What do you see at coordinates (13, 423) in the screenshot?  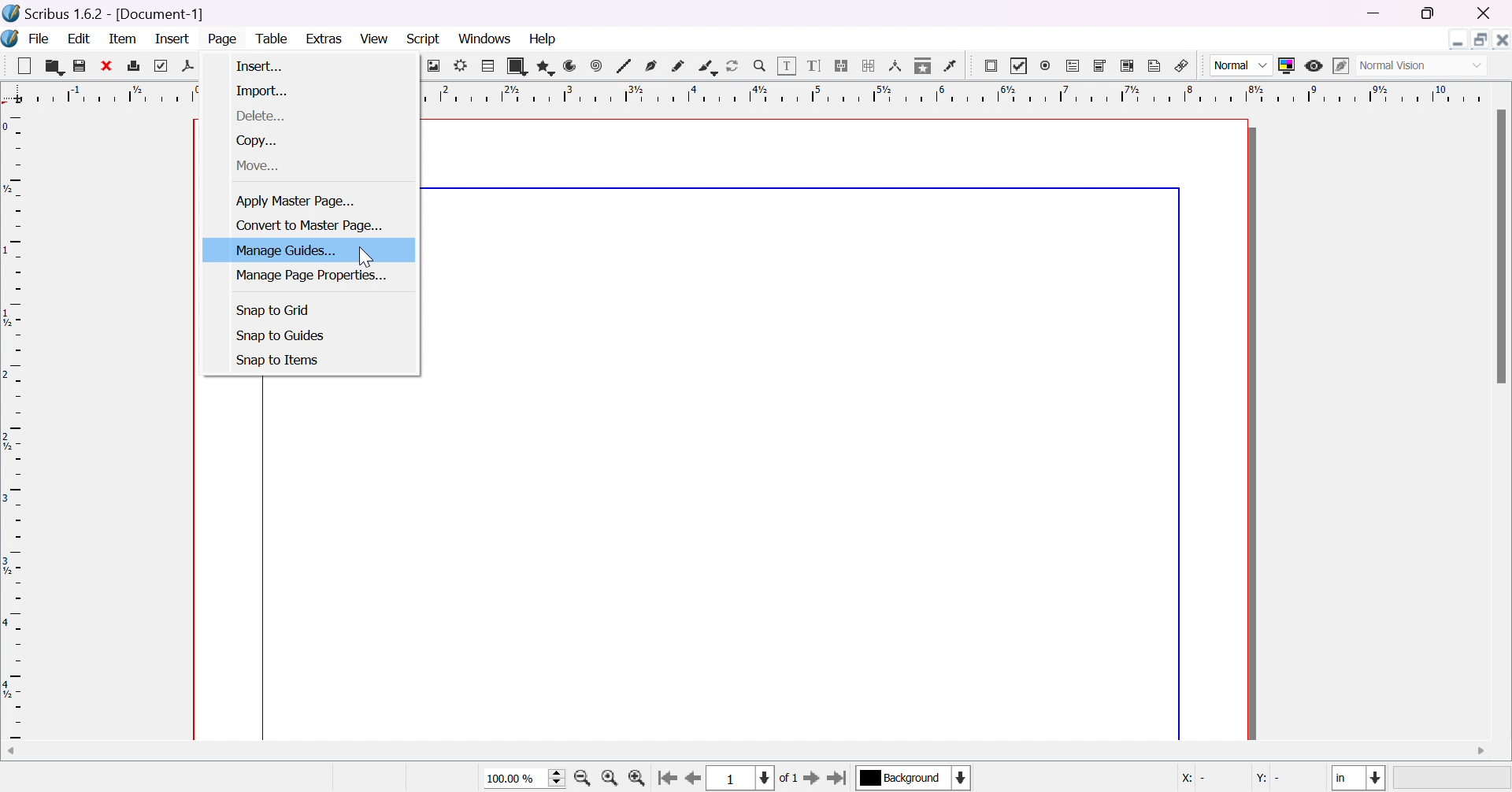 I see `ruler` at bounding box center [13, 423].